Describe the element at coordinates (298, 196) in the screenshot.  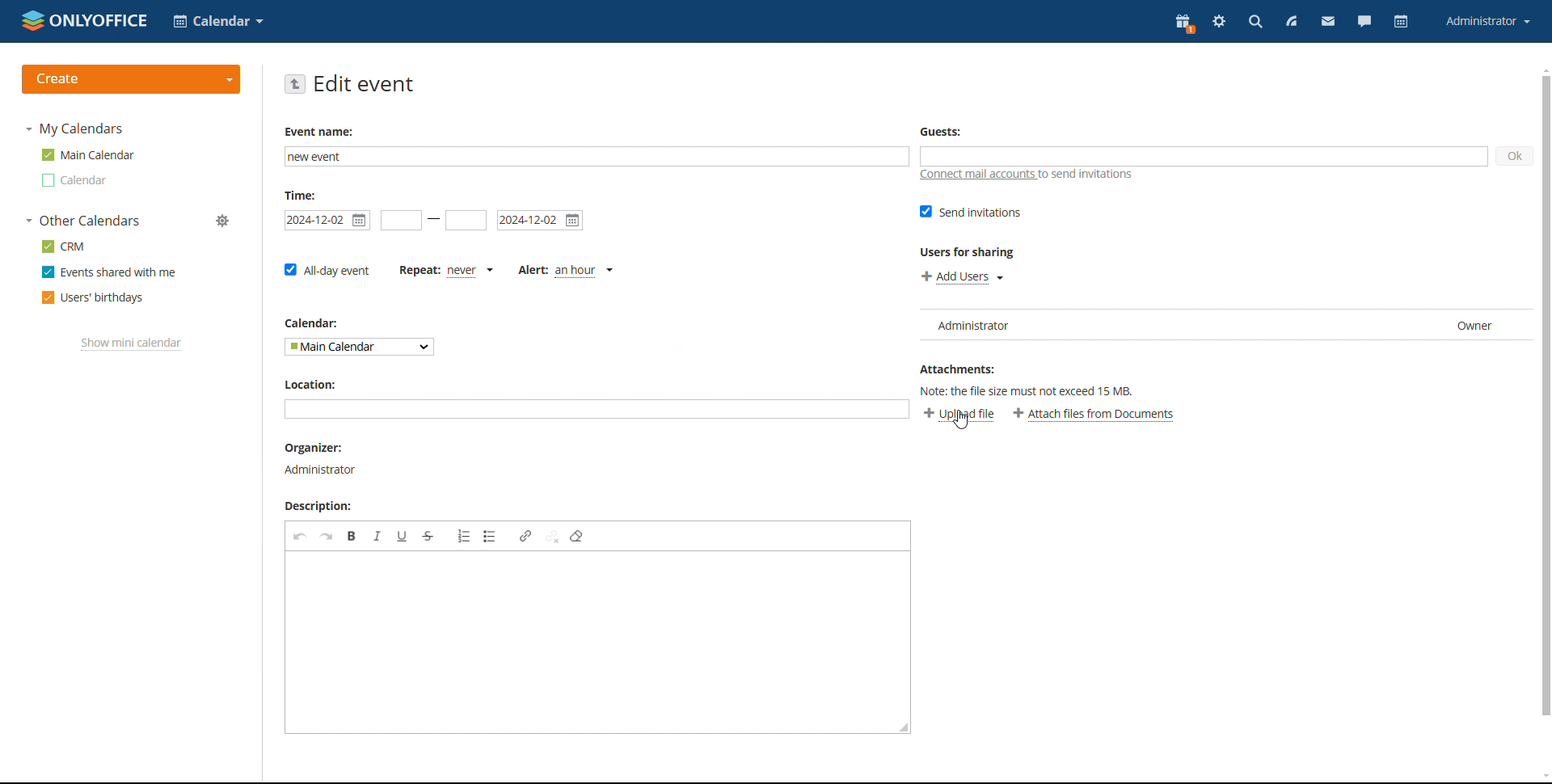
I see `time:` at that location.